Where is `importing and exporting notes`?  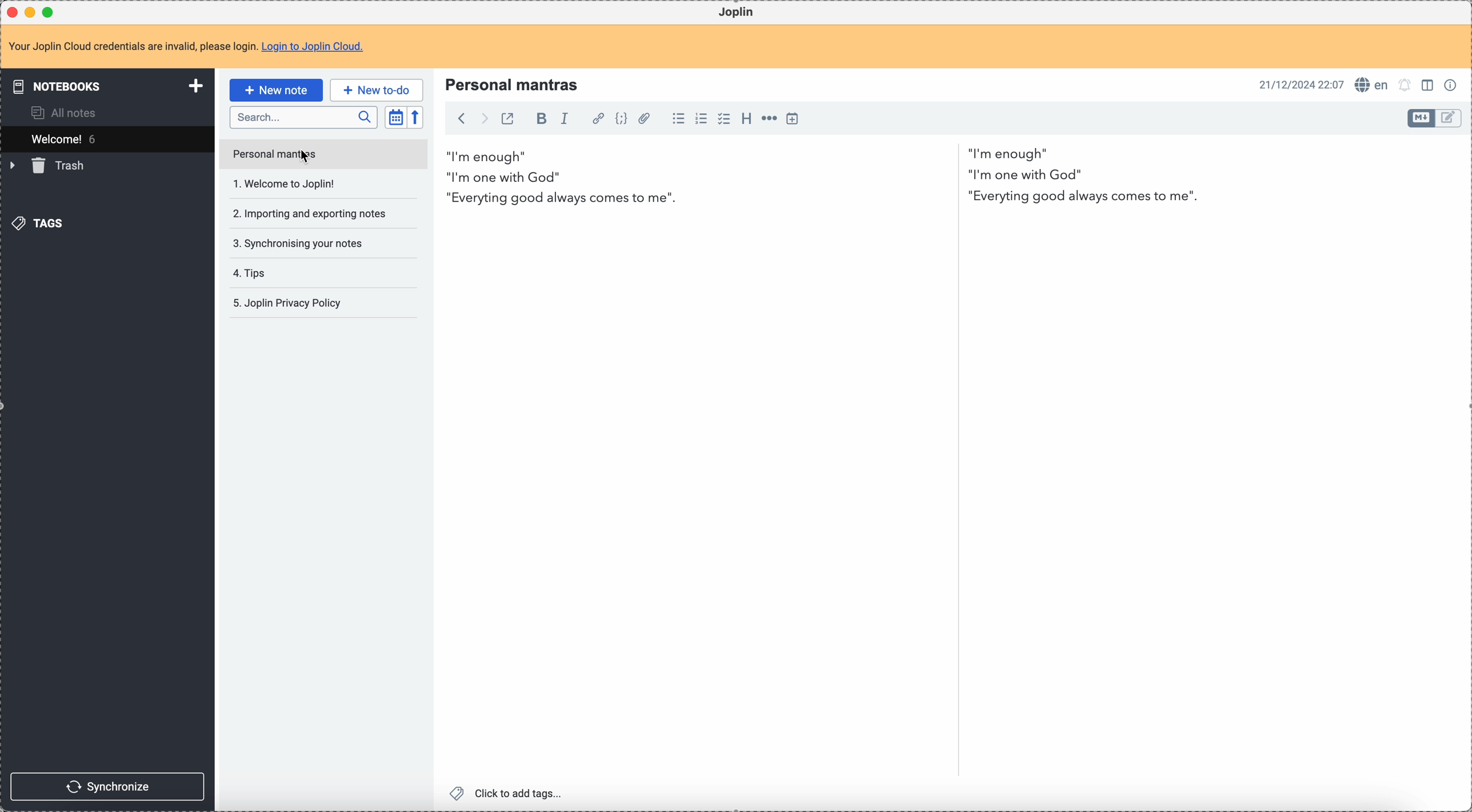
importing and exporting notes is located at coordinates (317, 216).